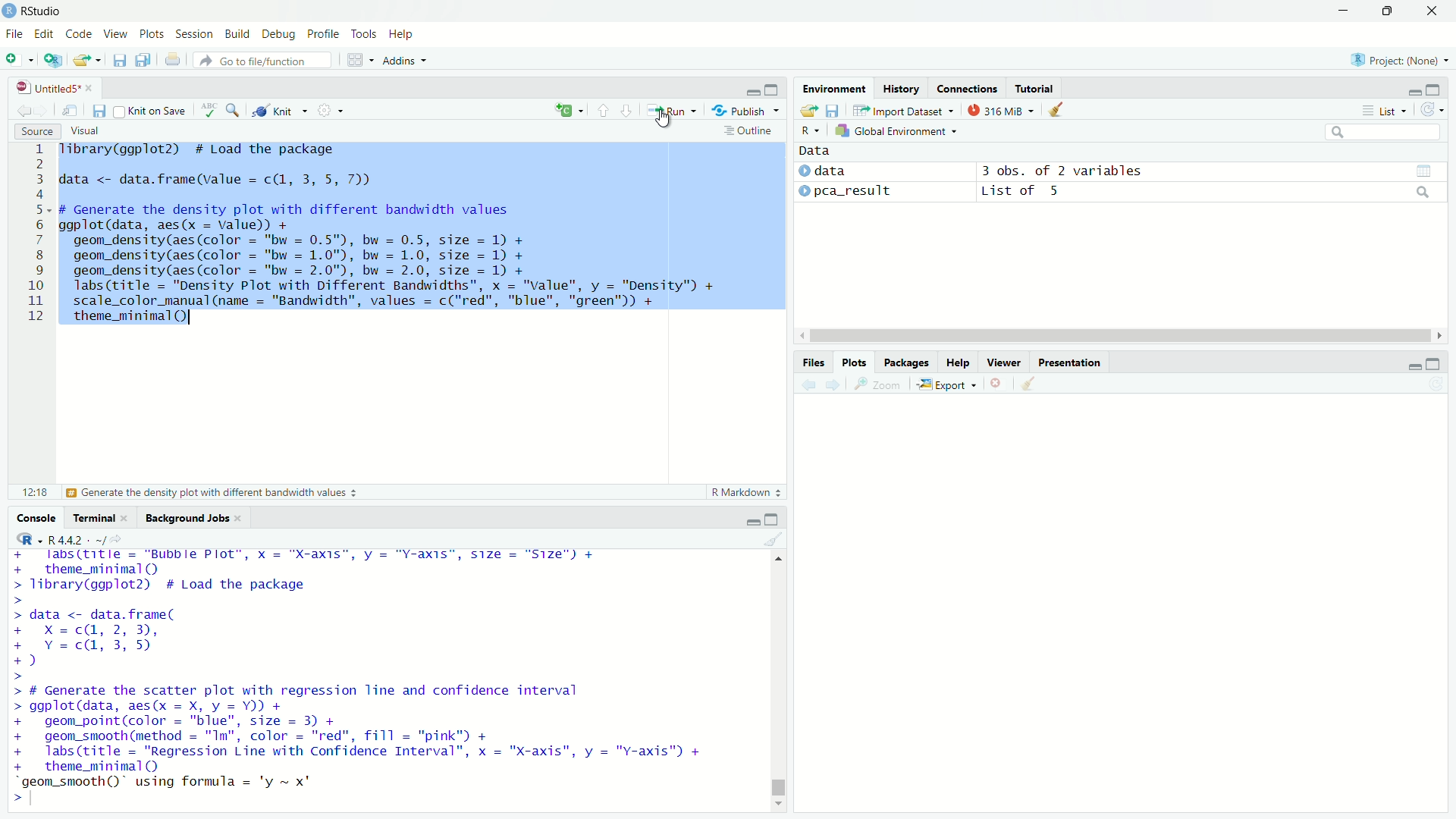 The height and width of the screenshot is (819, 1456). What do you see at coordinates (1057, 110) in the screenshot?
I see `Clear objects from workspace` at bounding box center [1057, 110].